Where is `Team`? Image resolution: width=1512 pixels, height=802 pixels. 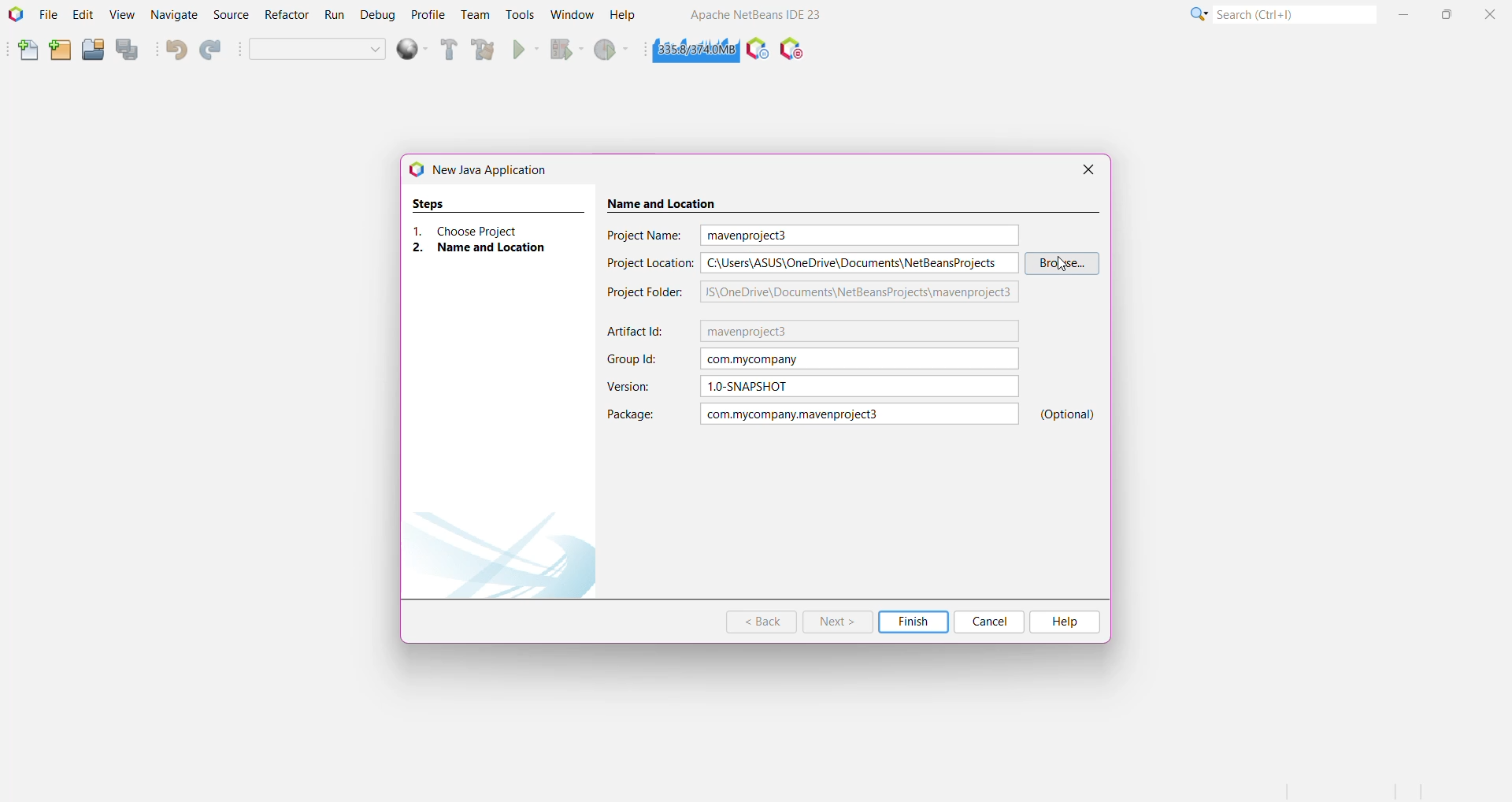
Team is located at coordinates (475, 16).